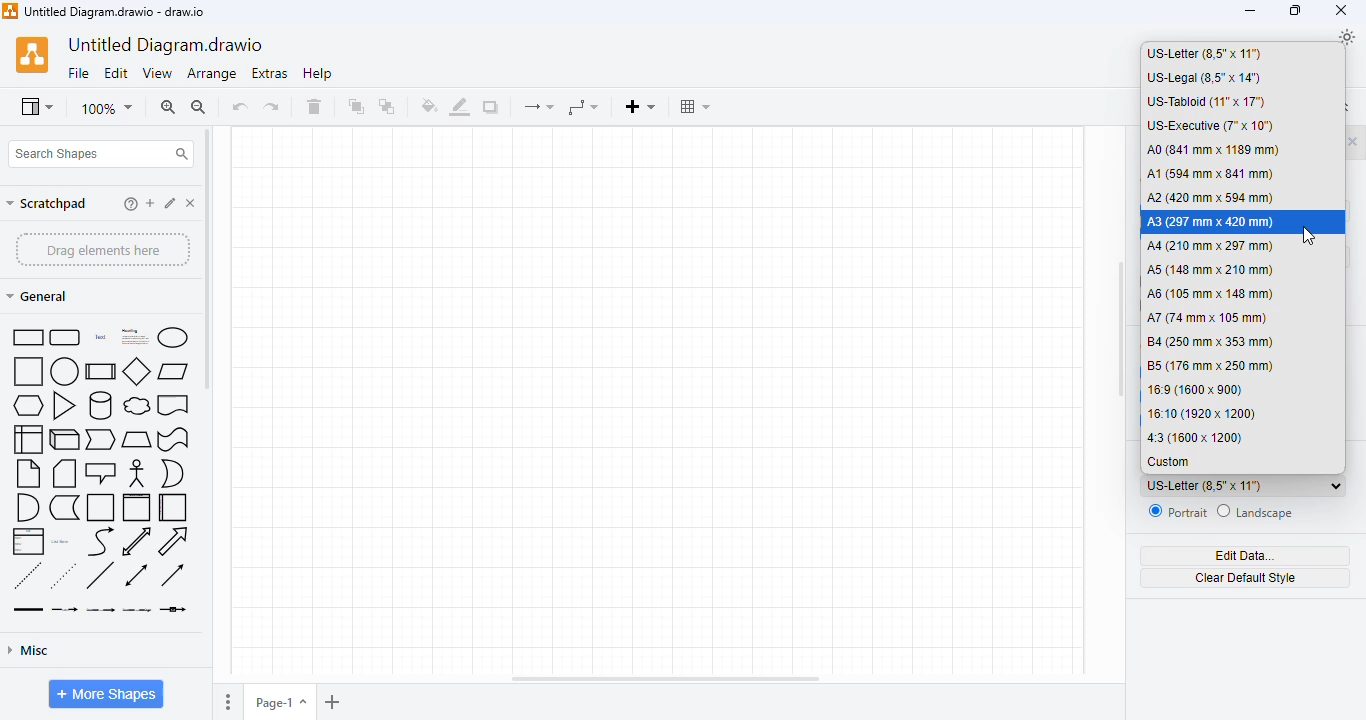  I want to click on insert page, so click(333, 703).